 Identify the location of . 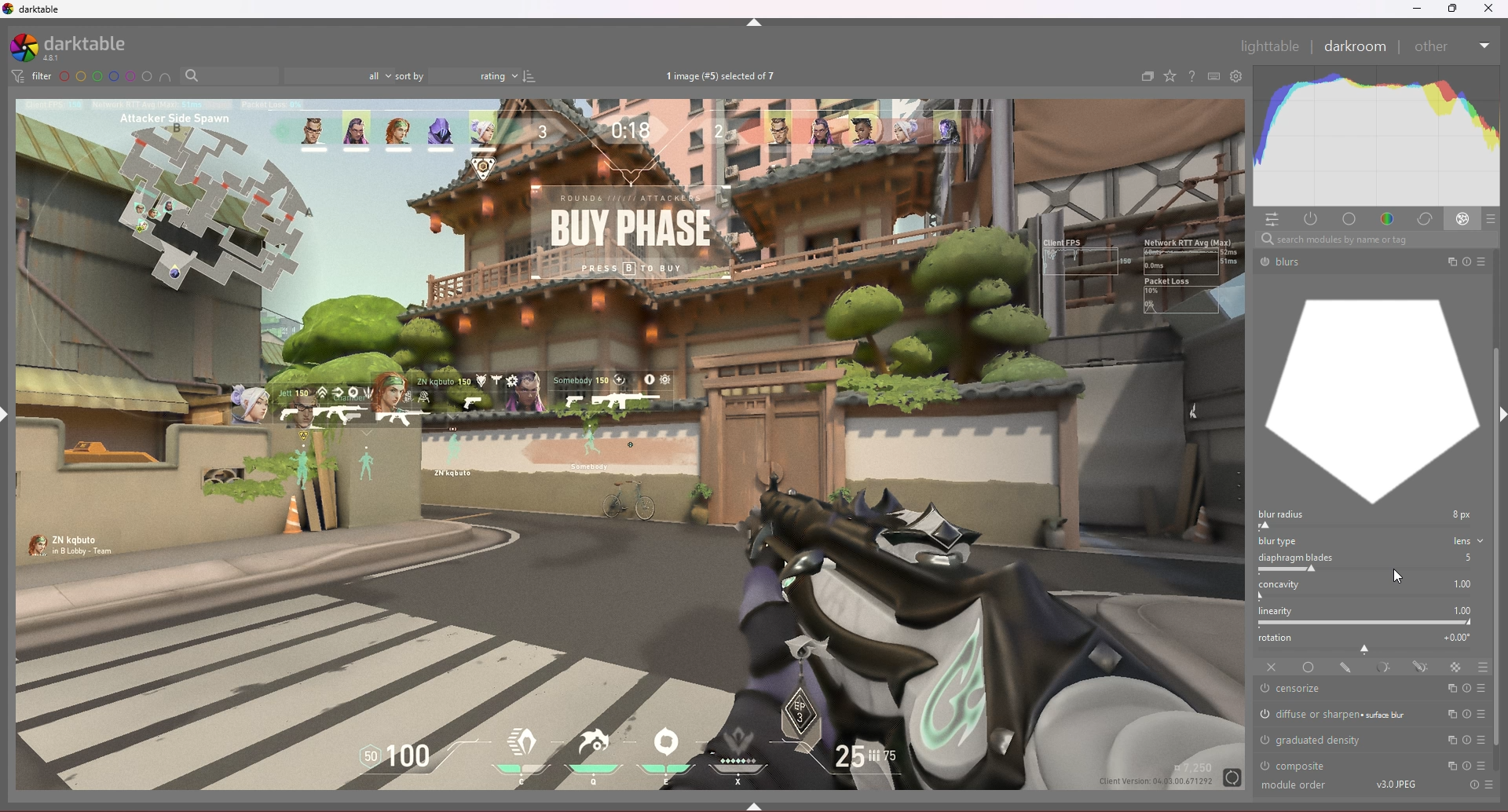
(1473, 785).